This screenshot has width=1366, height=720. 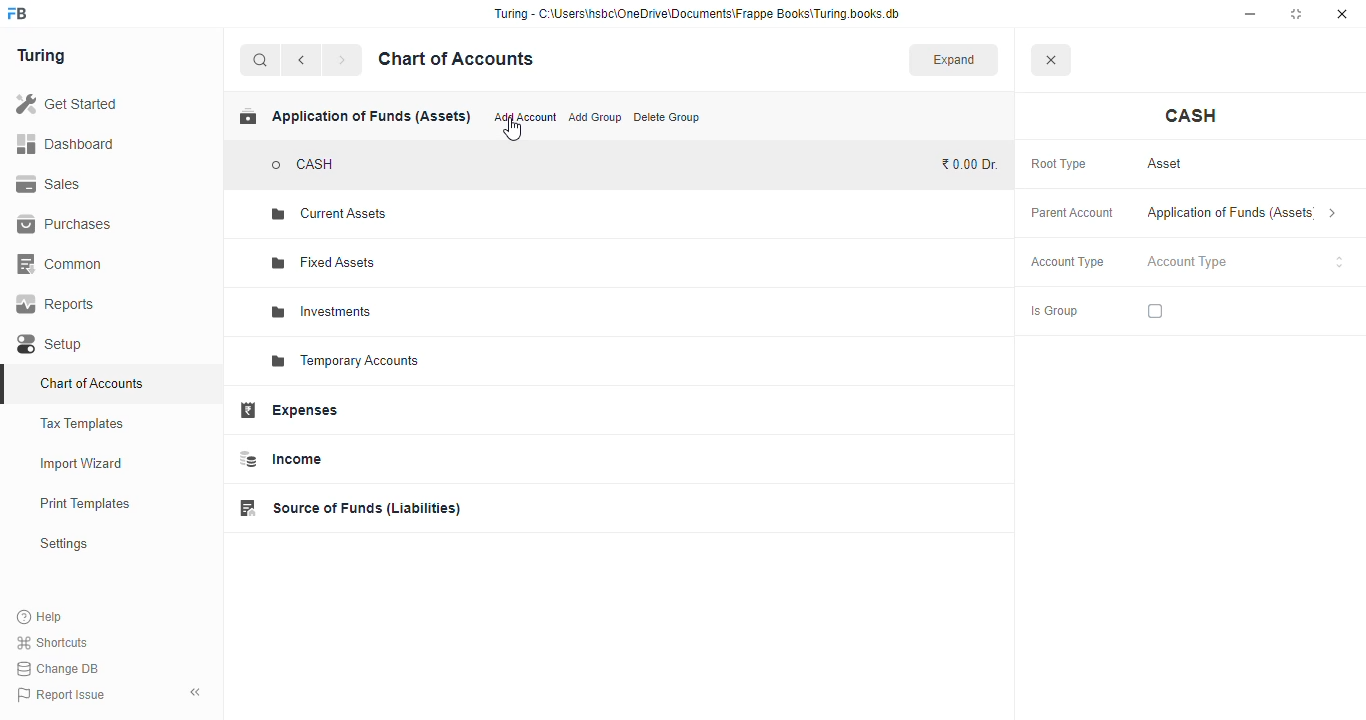 I want to click on forward, so click(x=342, y=60).